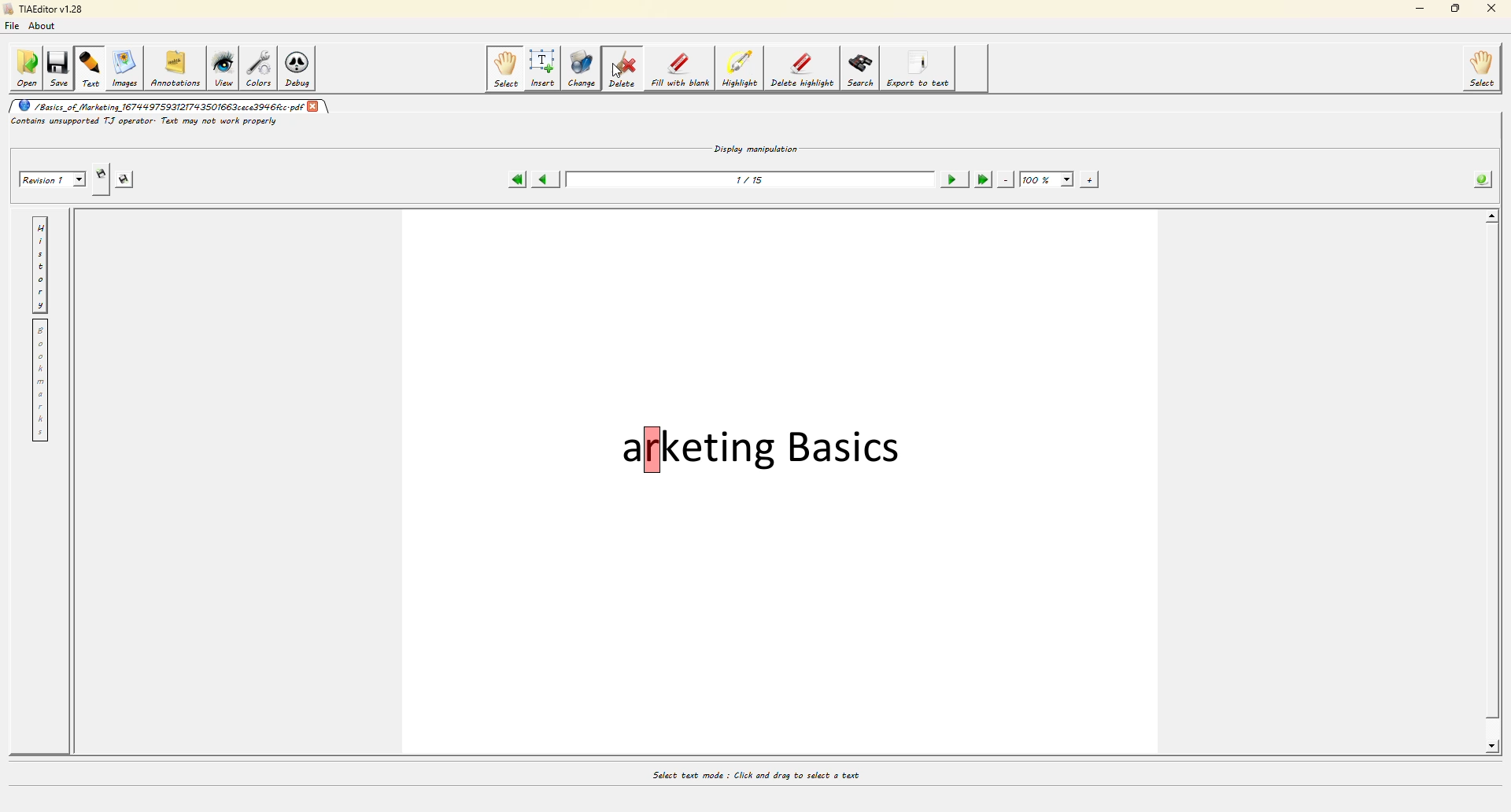 The width and height of the screenshot is (1511, 812). Describe the element at coordinates (751, 179) in the screenshot. I see `page number` at that location.